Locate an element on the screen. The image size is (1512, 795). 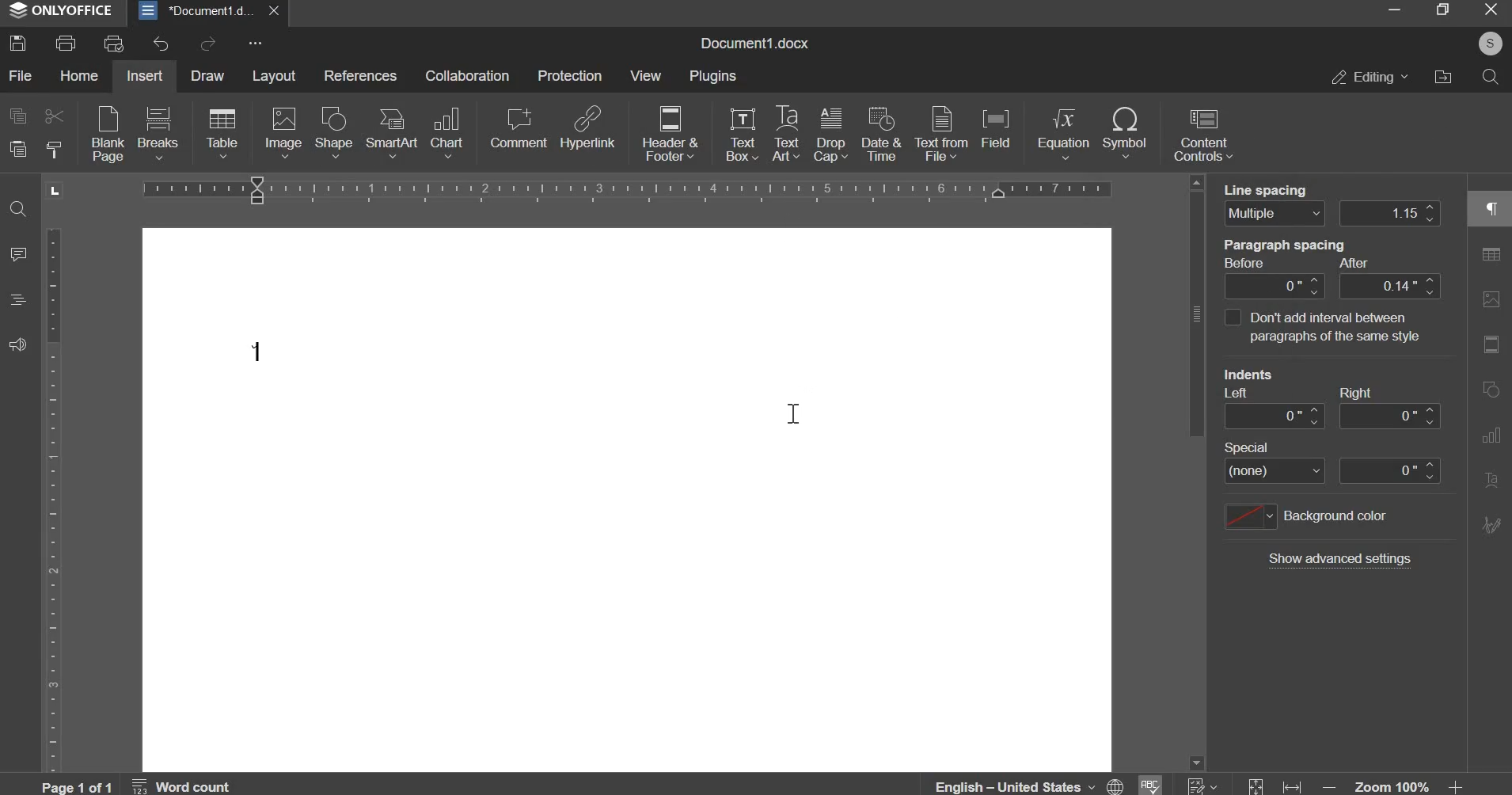
shape is located at coordinates (334, 130).